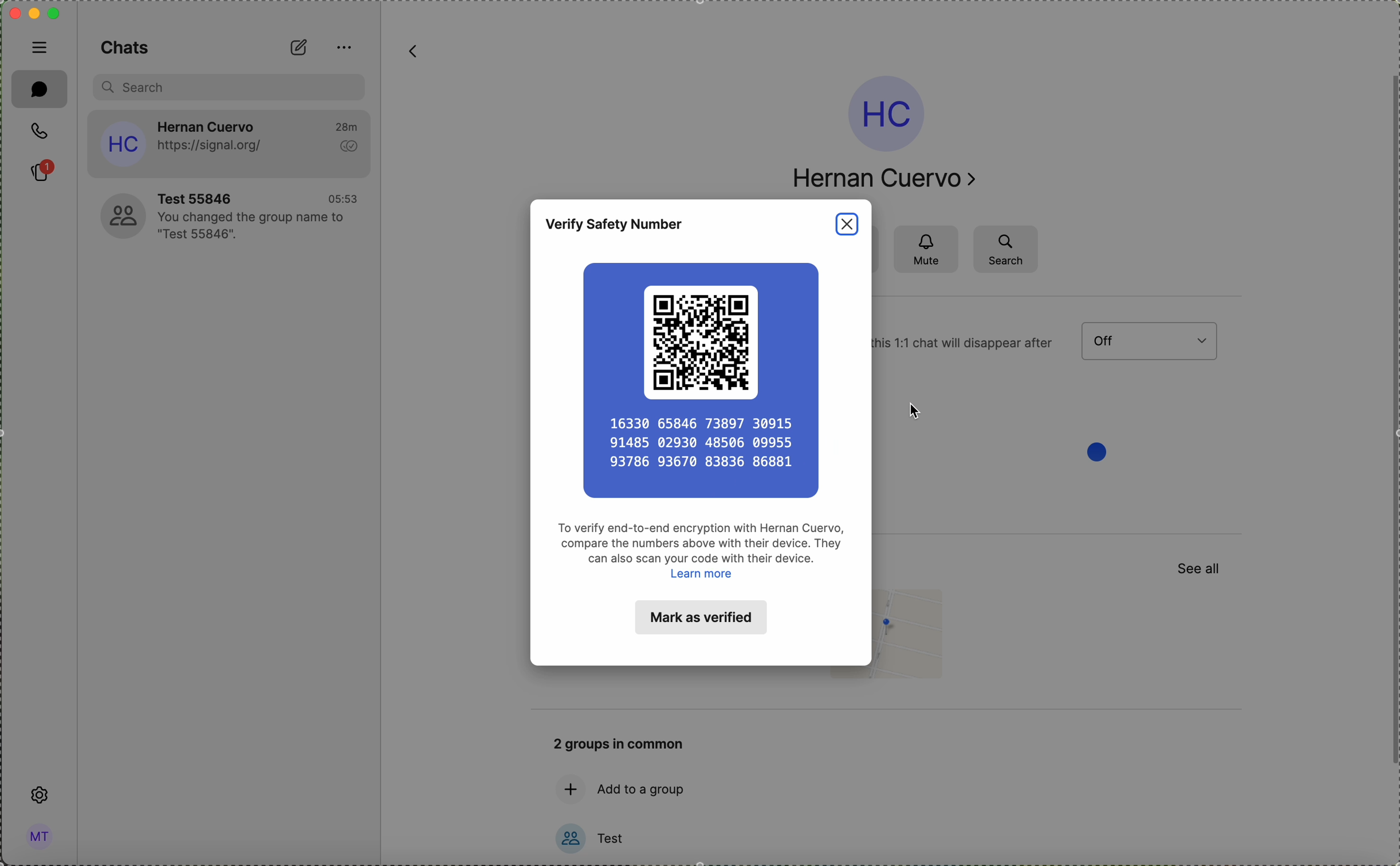 This screenshot has width=1400, height=866. I want to click on Test 55846, so click(202, 195).